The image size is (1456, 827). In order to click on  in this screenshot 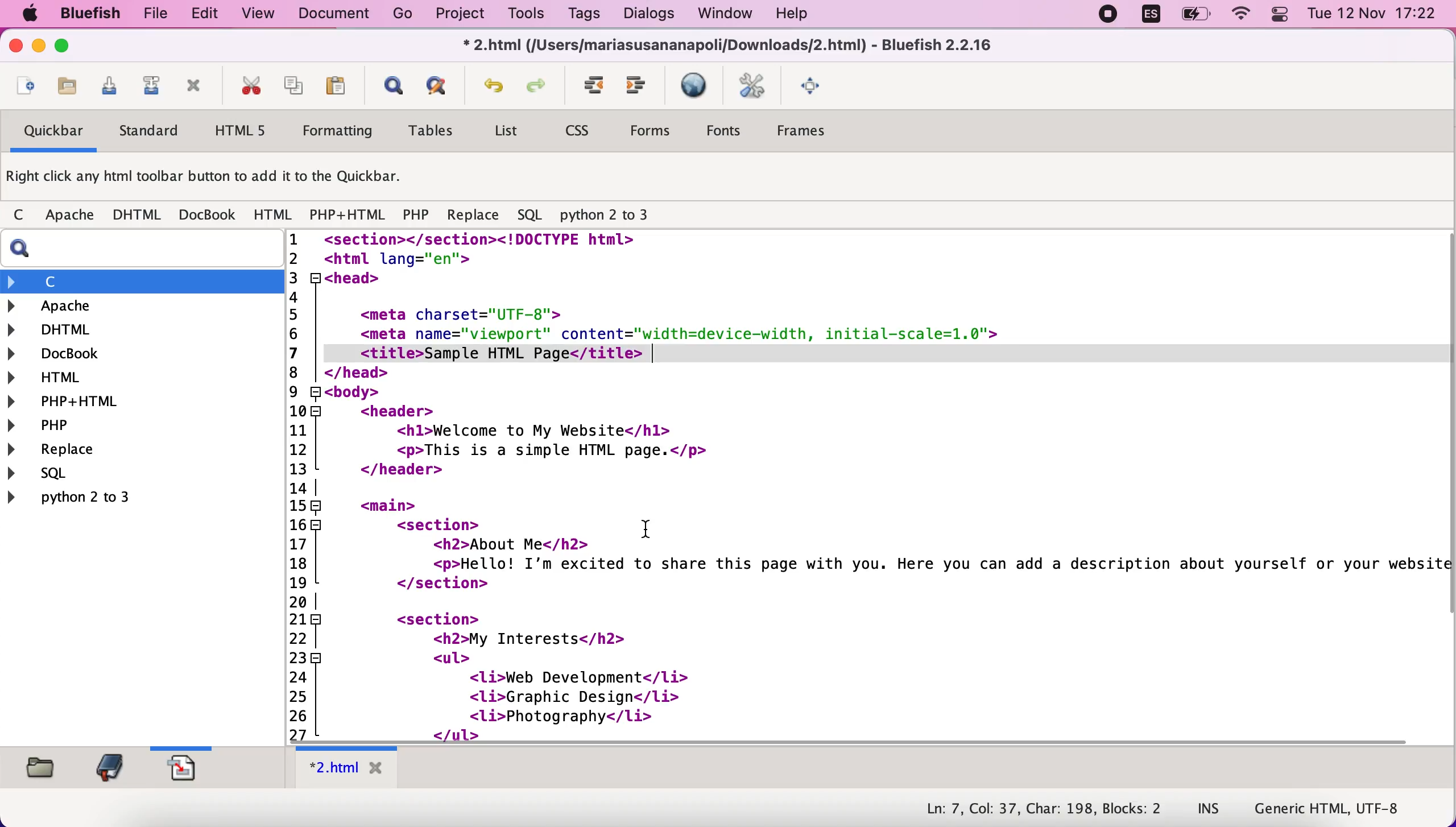, I will do `click(24, 216)`.